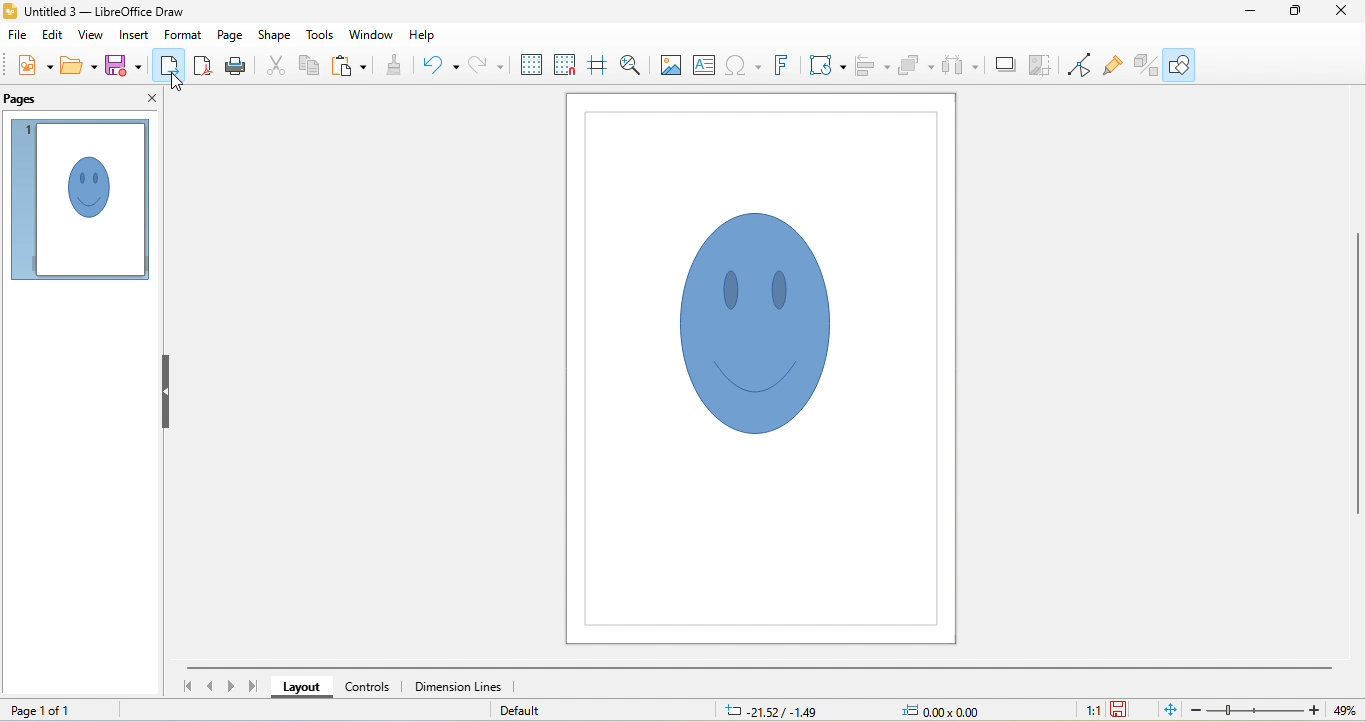  Describe the element at coordinates (373, 35) in the screenshot. I see `window` at that location.